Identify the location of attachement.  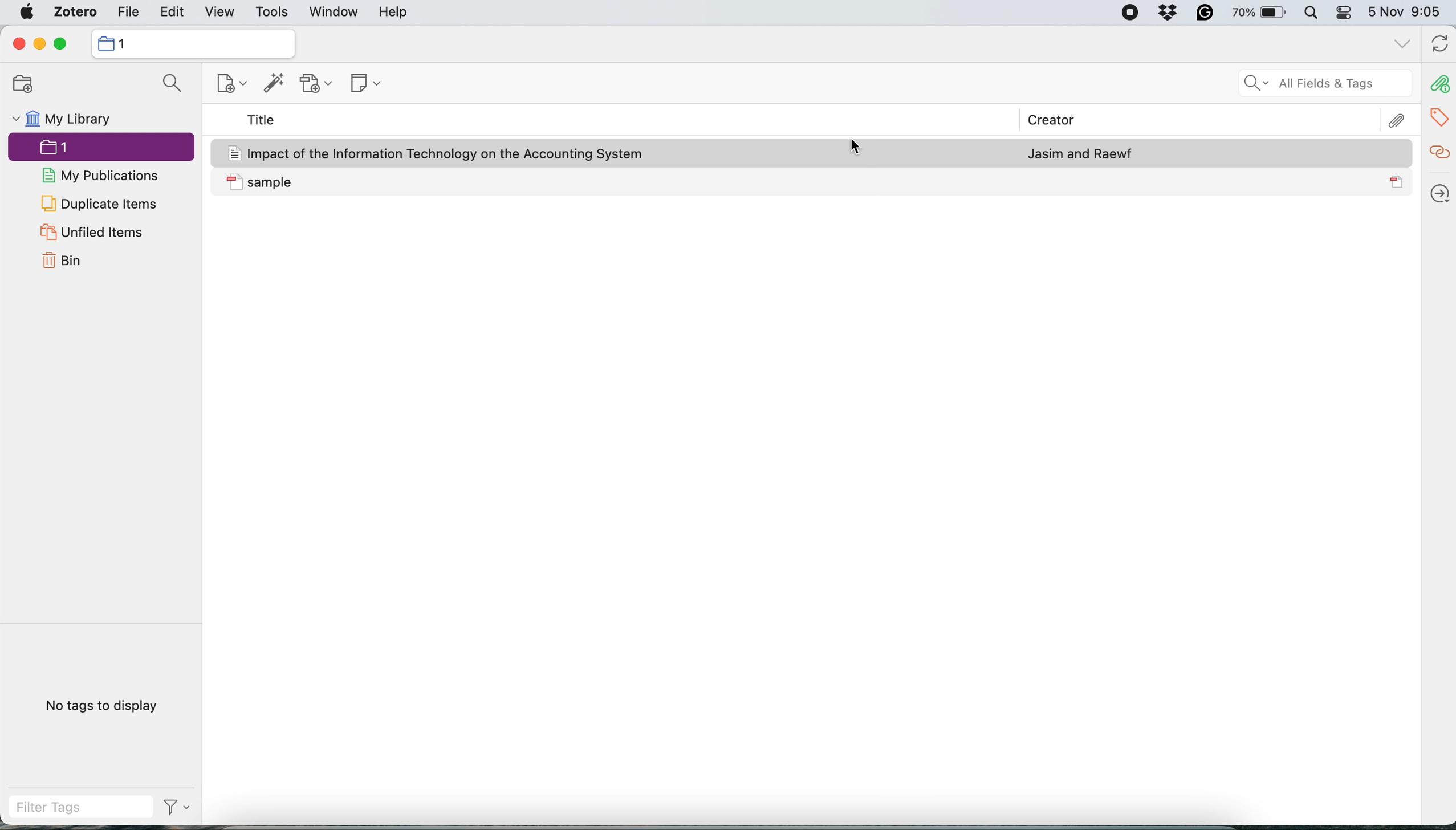
(1399, 120).